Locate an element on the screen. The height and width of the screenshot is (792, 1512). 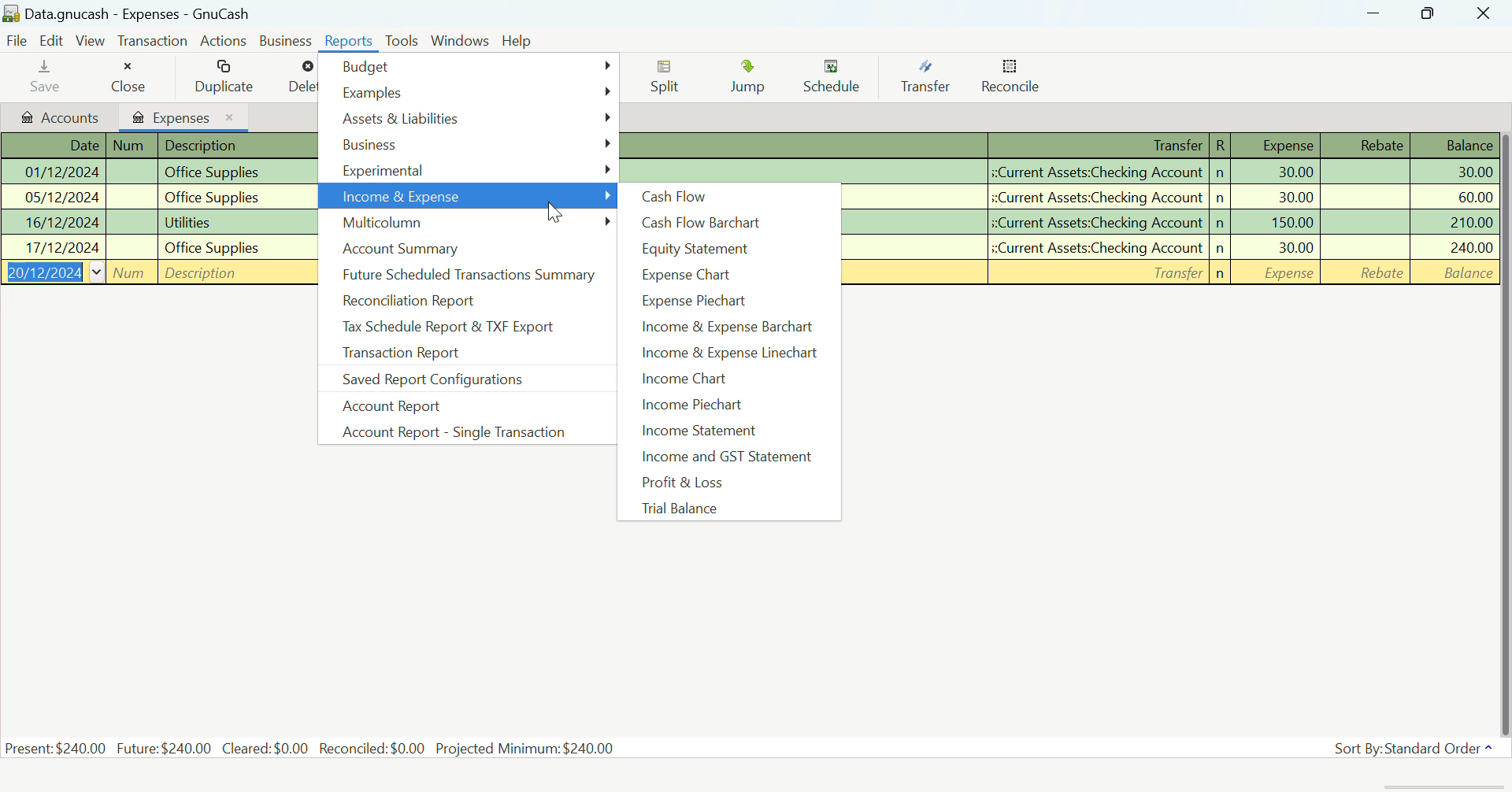
Minimize is located at coordinates (1427, 13).